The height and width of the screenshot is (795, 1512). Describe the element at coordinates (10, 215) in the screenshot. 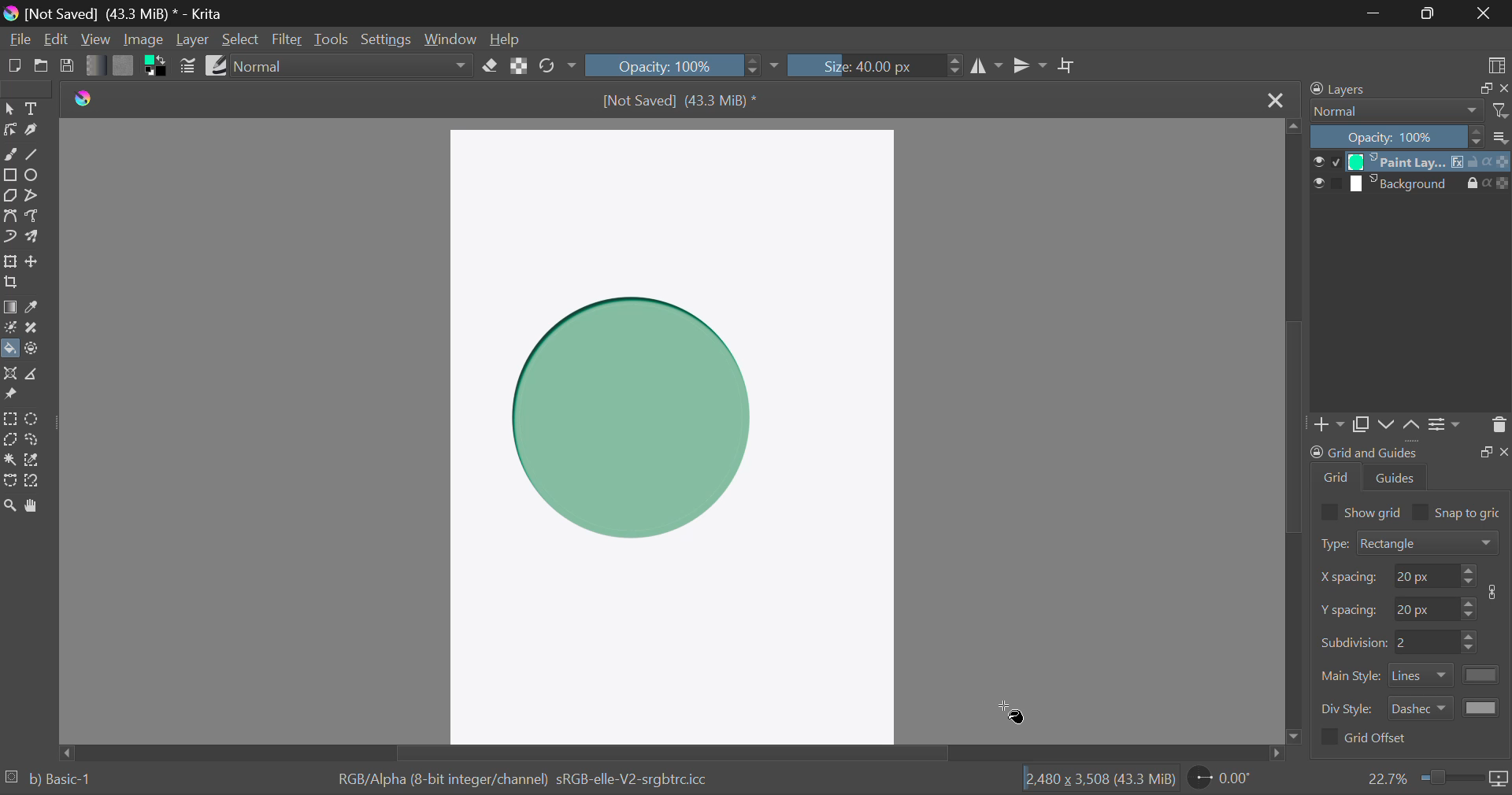

I see `Bezier Curve` at that location.